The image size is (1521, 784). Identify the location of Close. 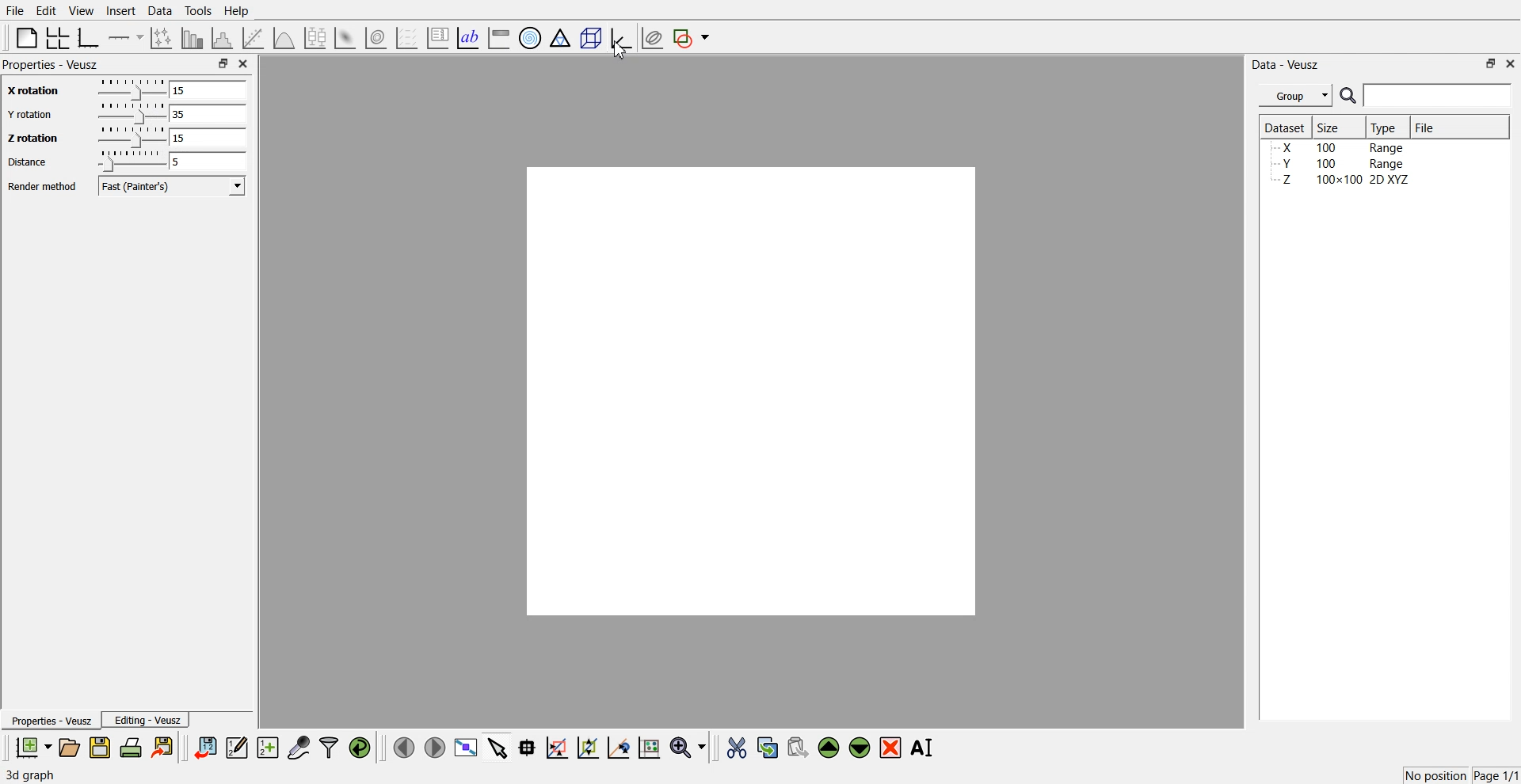
(244, 63).